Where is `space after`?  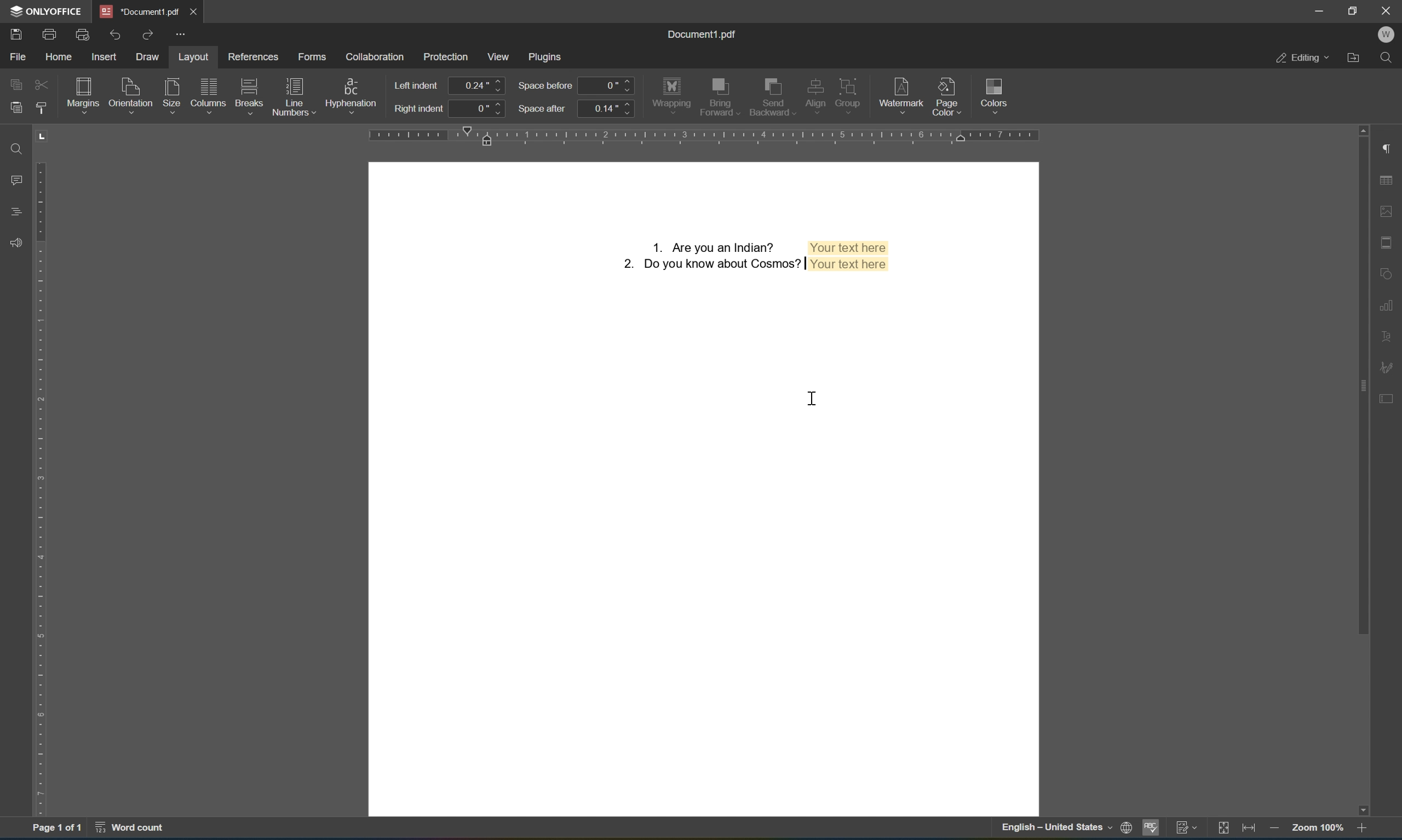
space after is located at coordinates (543, 109).